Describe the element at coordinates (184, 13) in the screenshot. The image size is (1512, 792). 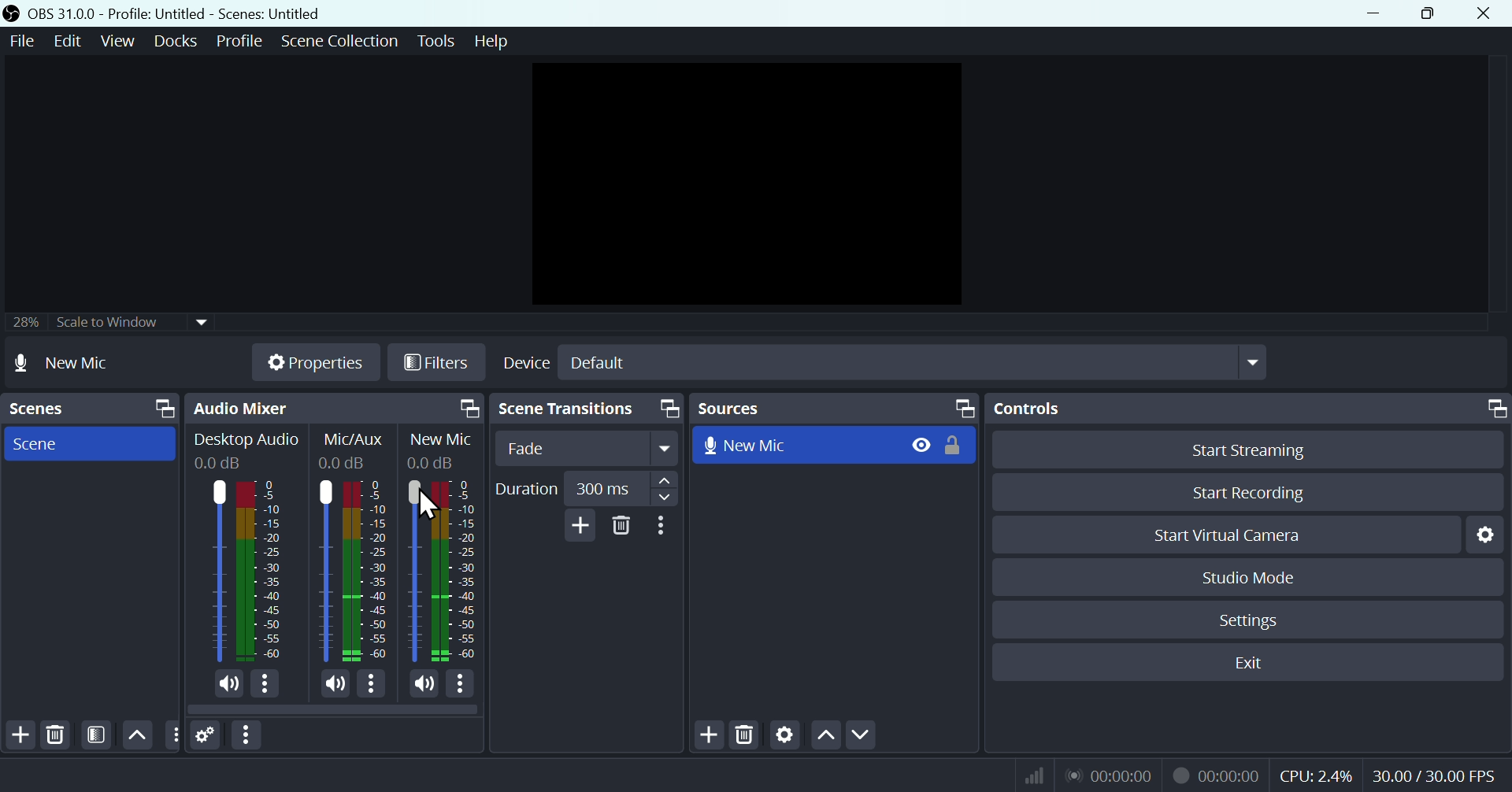
I see `OBS 31.0 .0 profile: untitled scenes: untitled` at that location.